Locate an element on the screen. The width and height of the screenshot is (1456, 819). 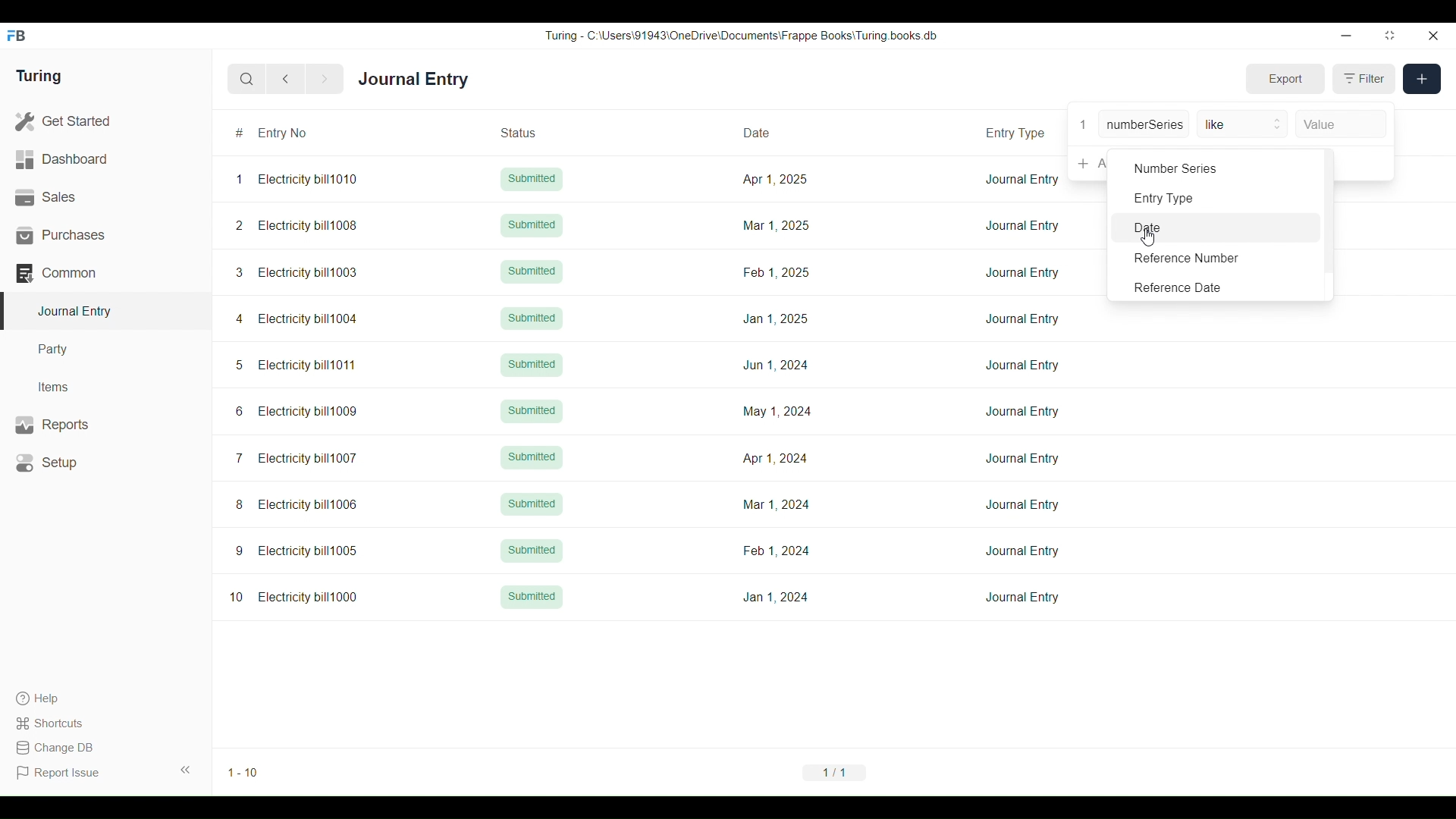
Submitted is located at coordinates (532, 272).